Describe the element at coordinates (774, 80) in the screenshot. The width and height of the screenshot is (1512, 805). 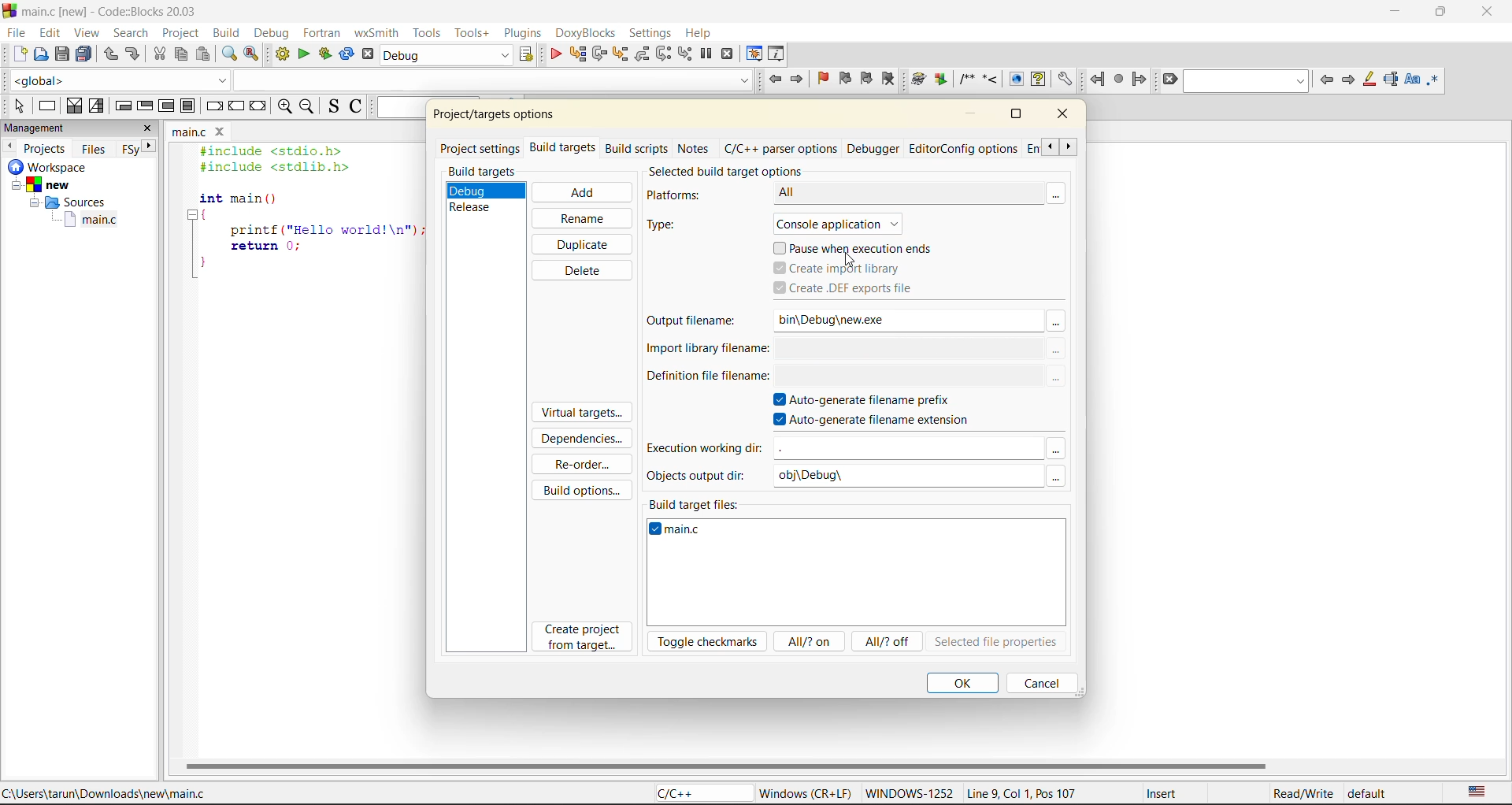
I see `jump back` at that location.